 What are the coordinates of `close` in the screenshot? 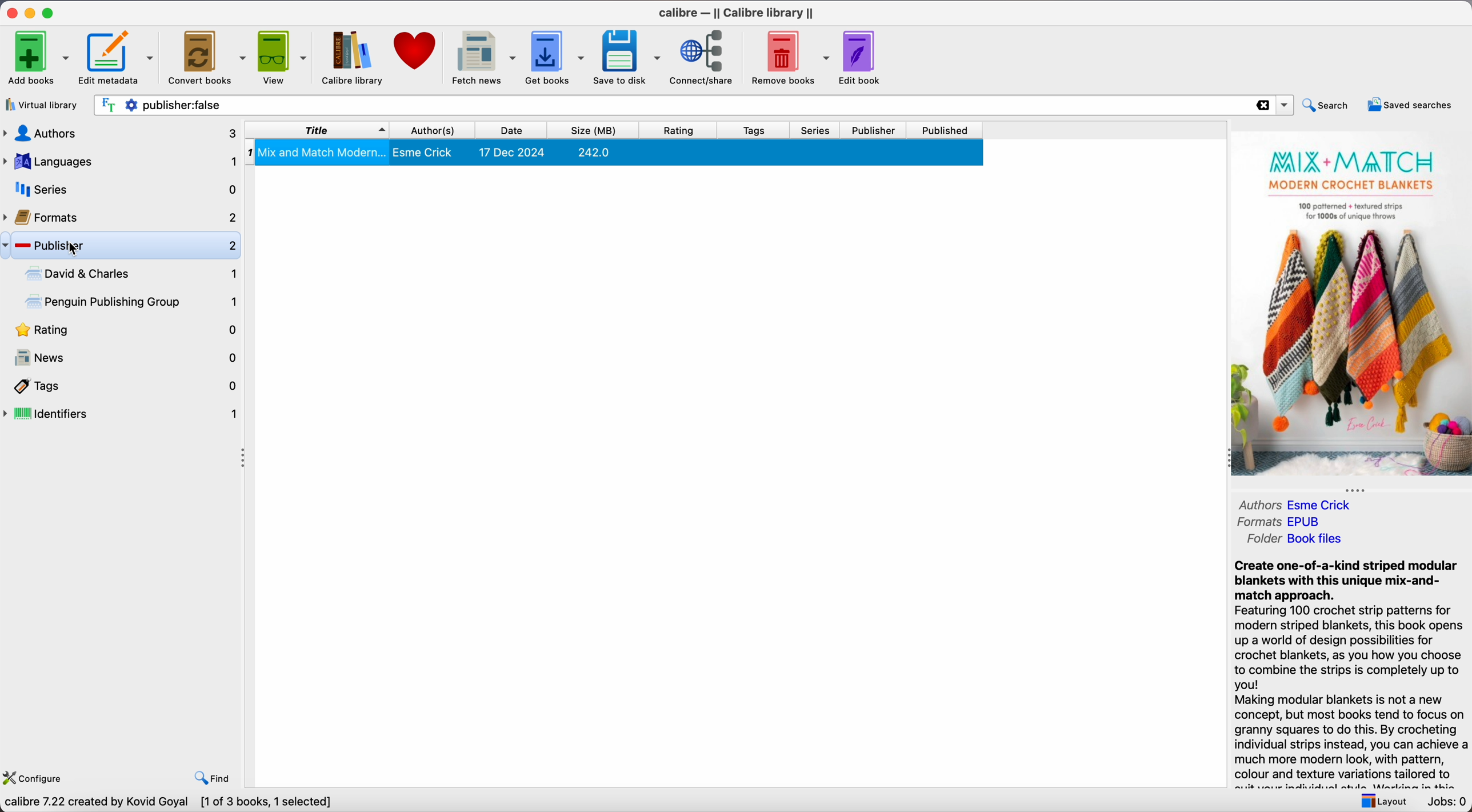 It's located at (10, 13).